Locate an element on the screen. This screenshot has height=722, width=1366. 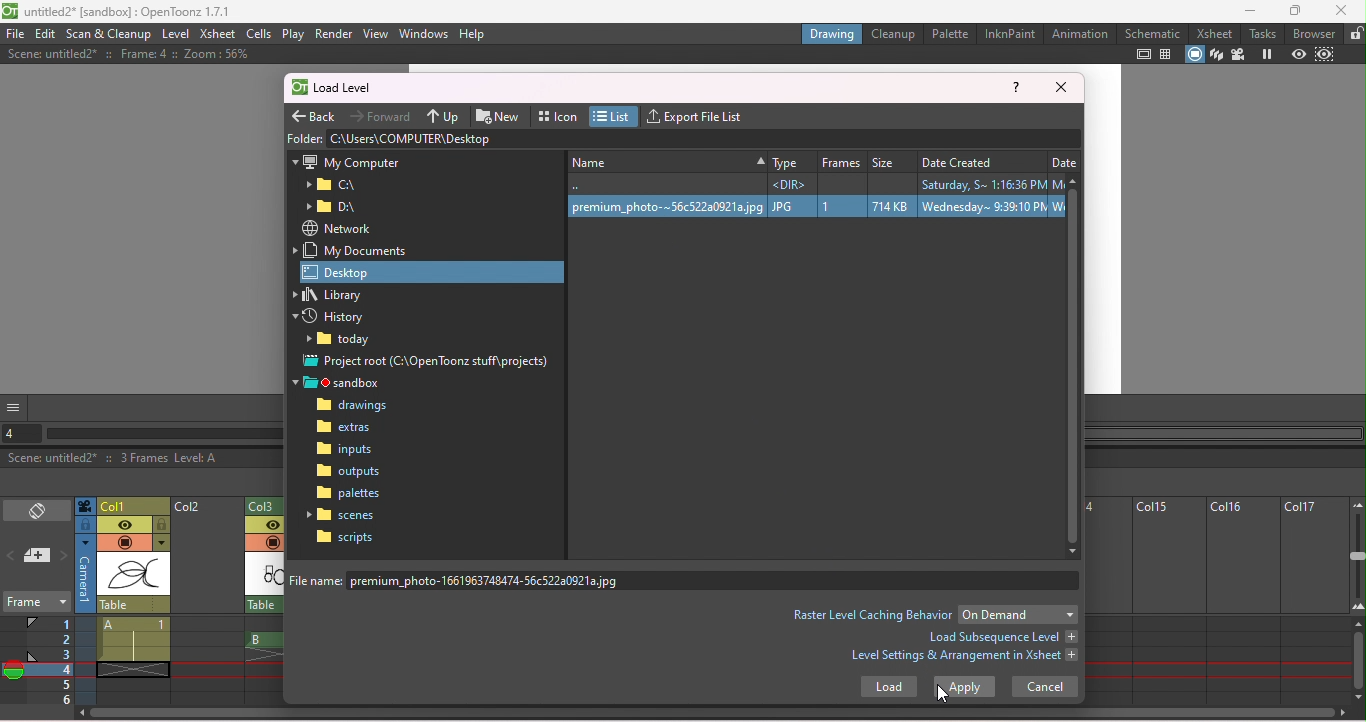
Drop down menu is located at coordinates (1018, 614).